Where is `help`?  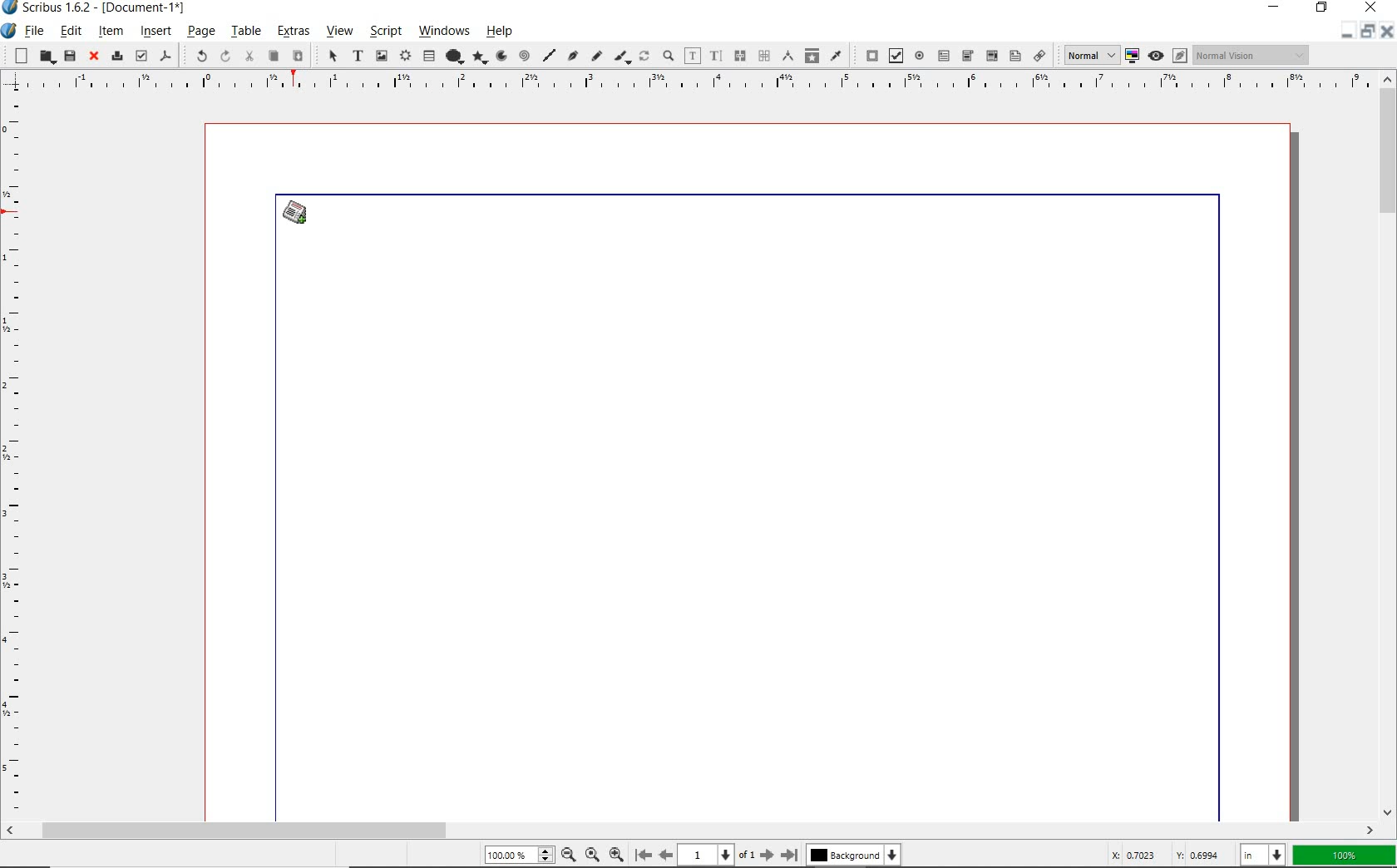 help is located at coordinates (500, 31).